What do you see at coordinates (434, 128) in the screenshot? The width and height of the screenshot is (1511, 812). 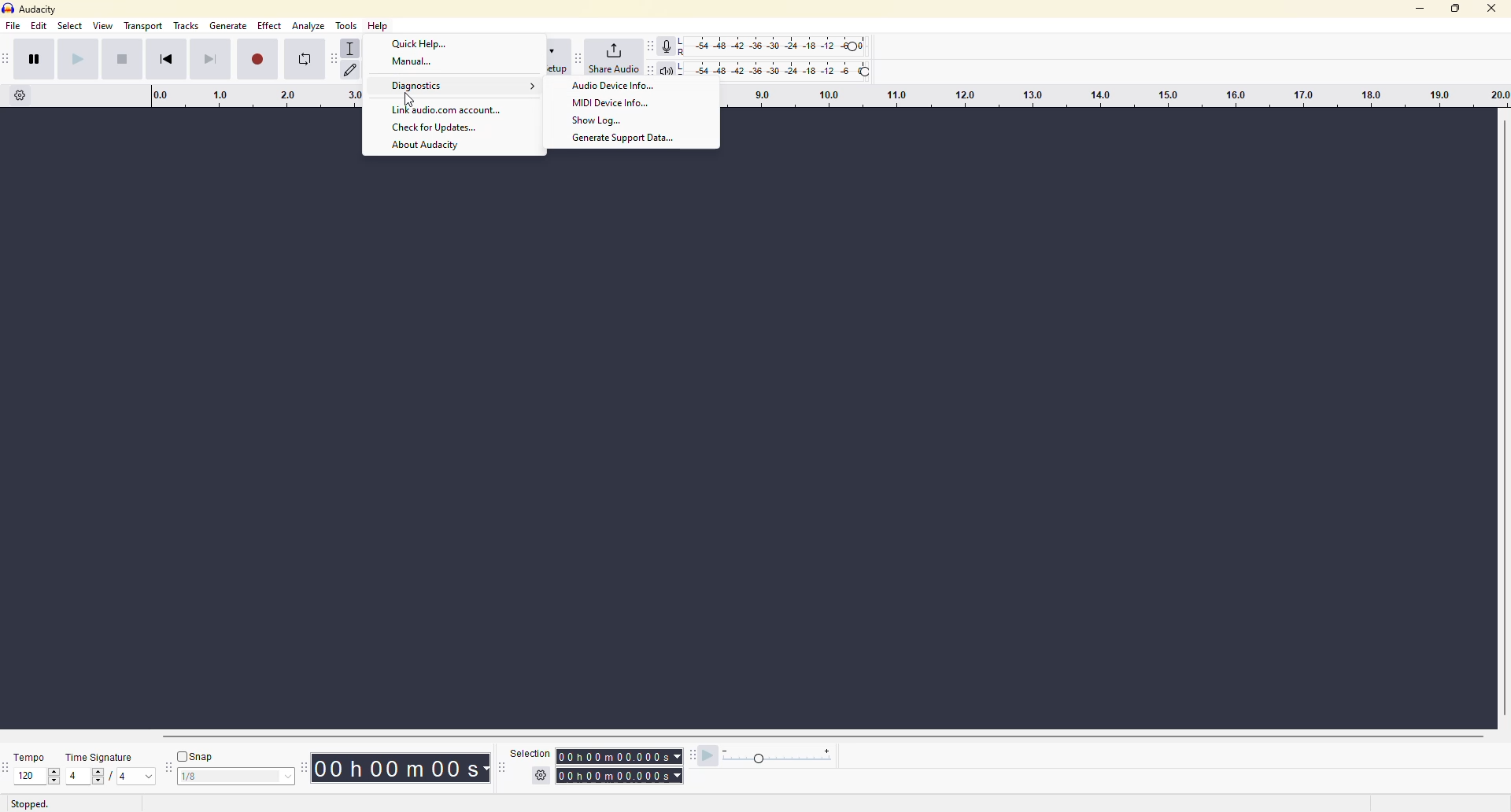 I see `Check for Updates...` at bounding box center [434, 128].